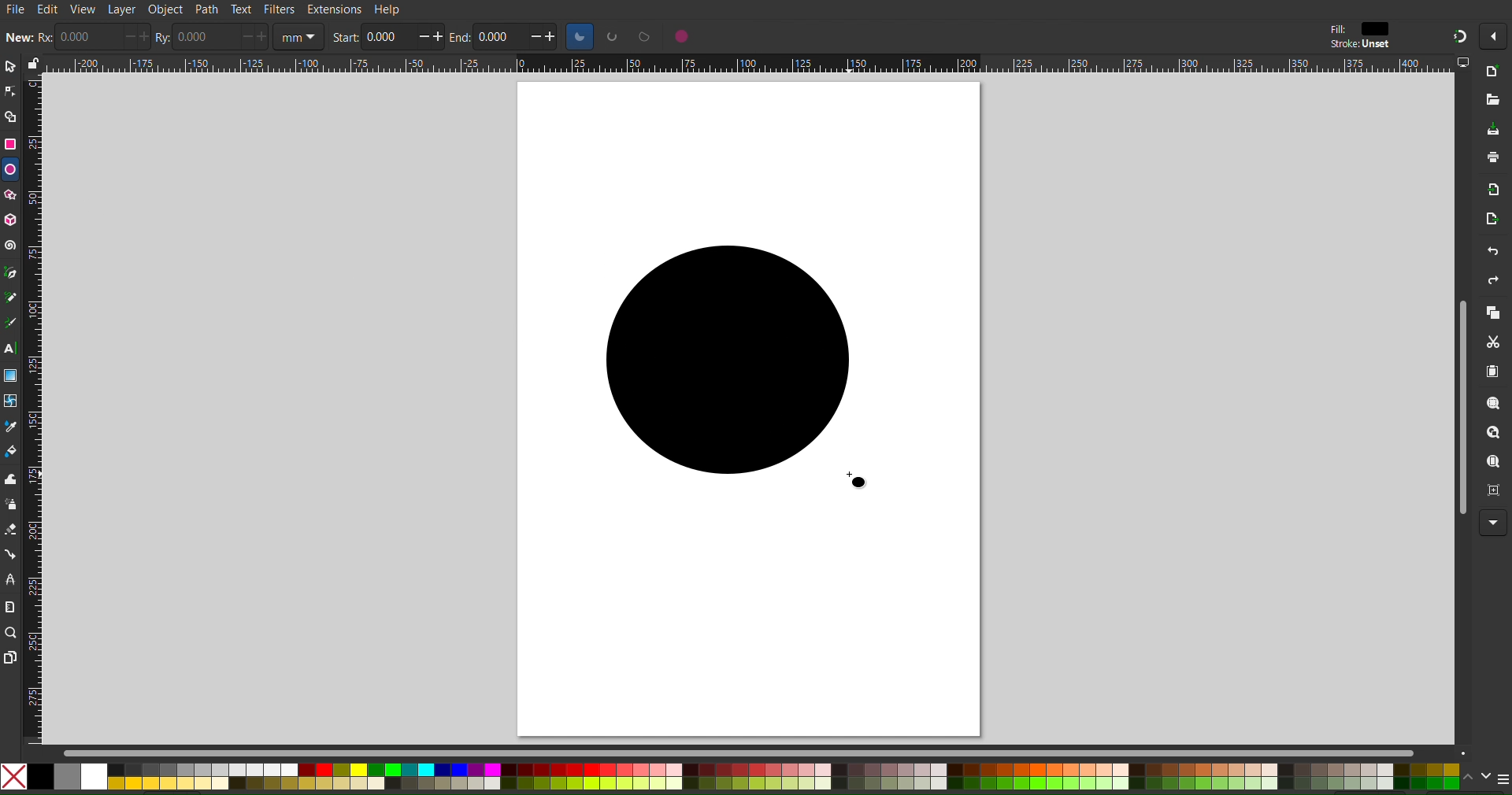  I want to click on Zoom Page Center, so click(1493, 491).